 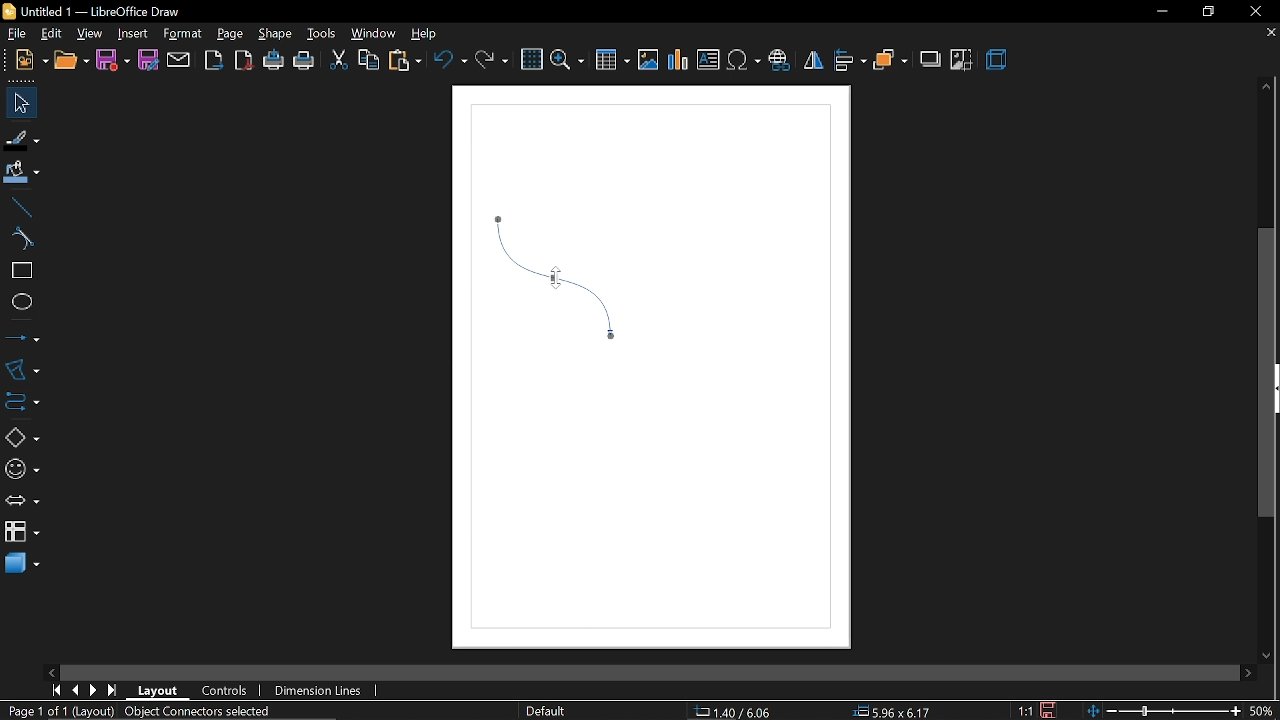 I want to click on zoom change, so click(x=1166, y=712).